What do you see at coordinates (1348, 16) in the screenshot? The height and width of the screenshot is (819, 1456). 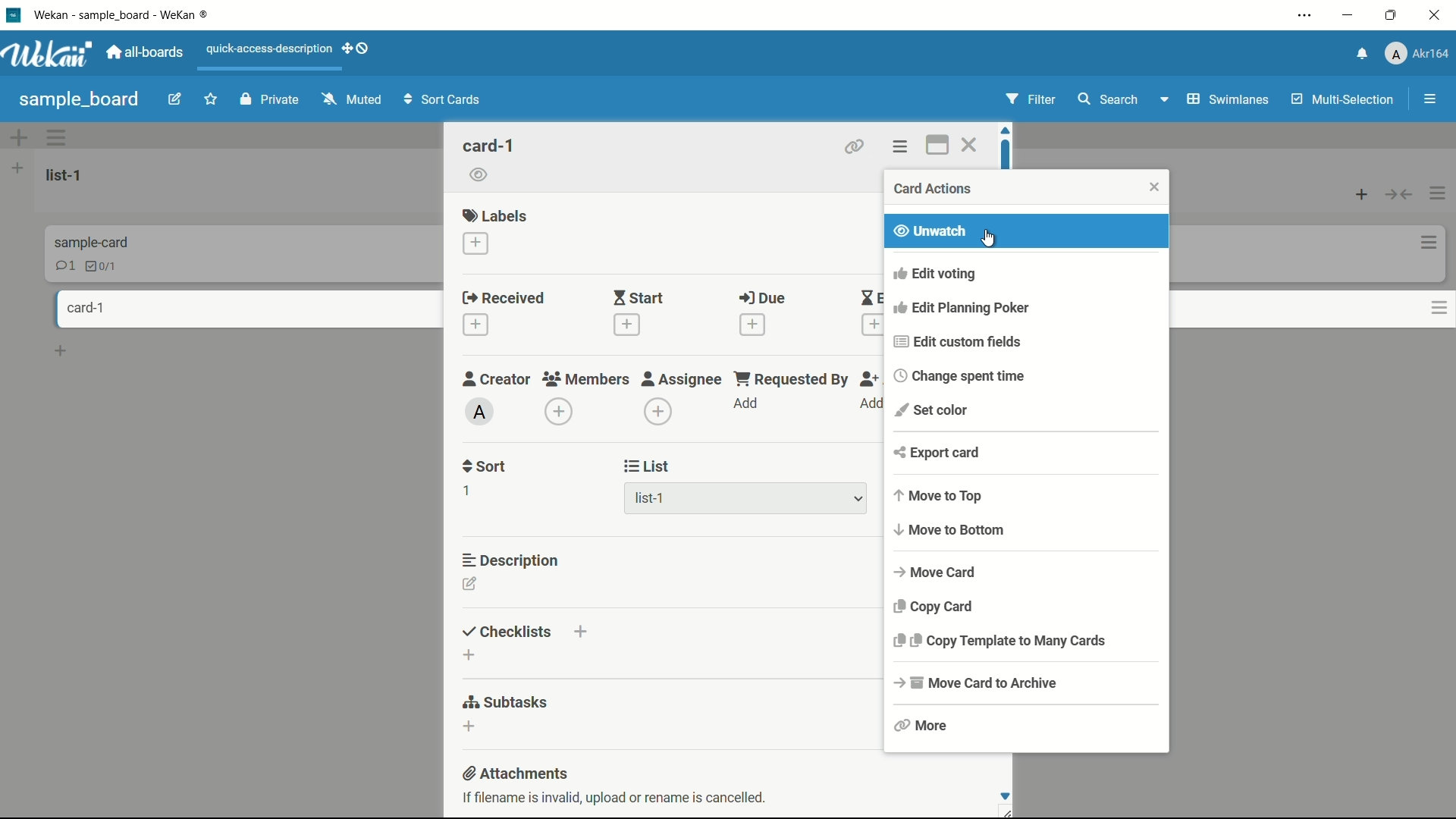 I see `minimize` at bounding box center [1348, 16].